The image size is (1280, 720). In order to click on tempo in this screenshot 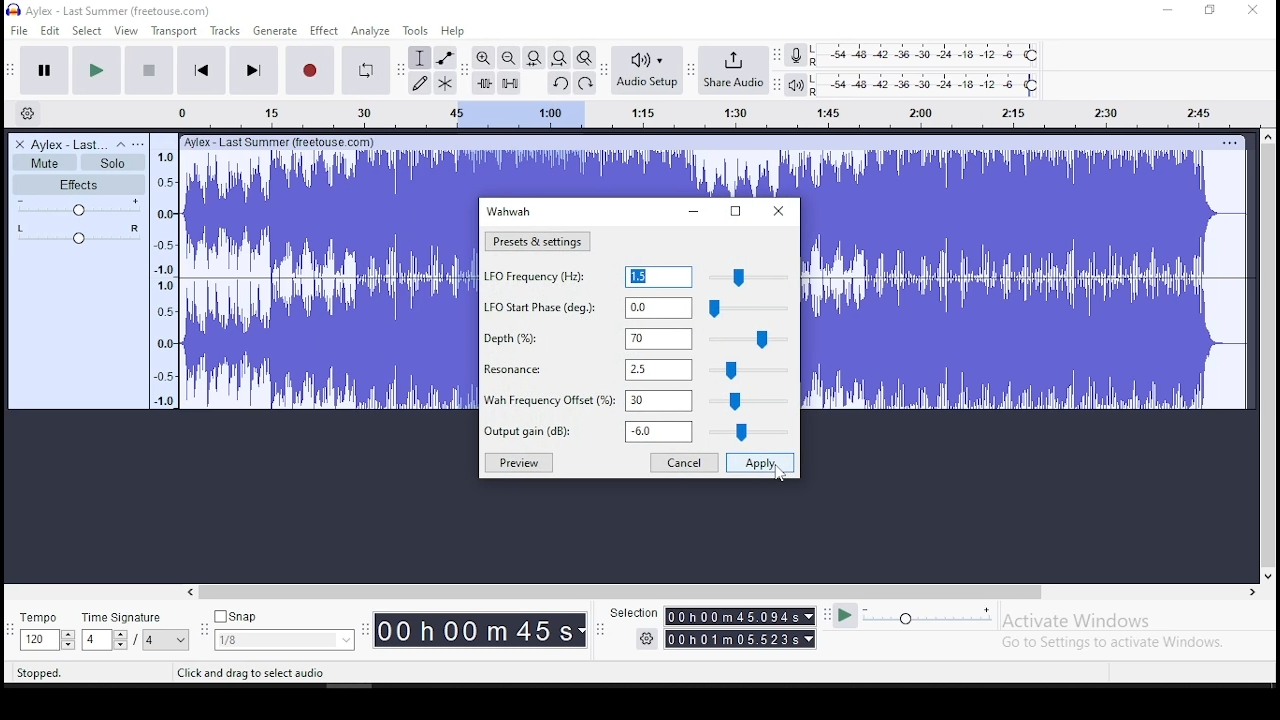, I will do `click(45, 633)`.